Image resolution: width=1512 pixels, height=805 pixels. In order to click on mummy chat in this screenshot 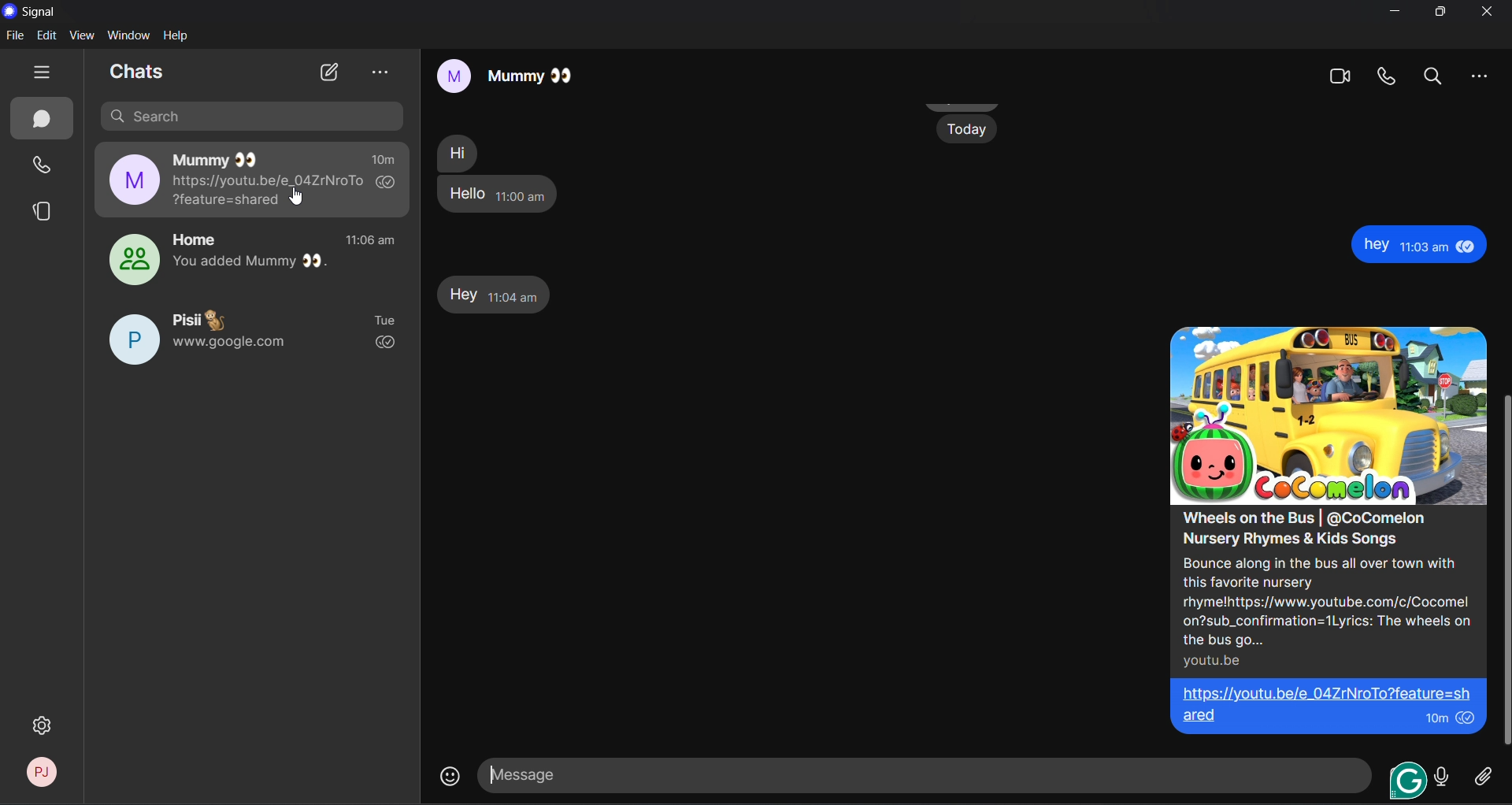, I will do `click(506, 78)`.